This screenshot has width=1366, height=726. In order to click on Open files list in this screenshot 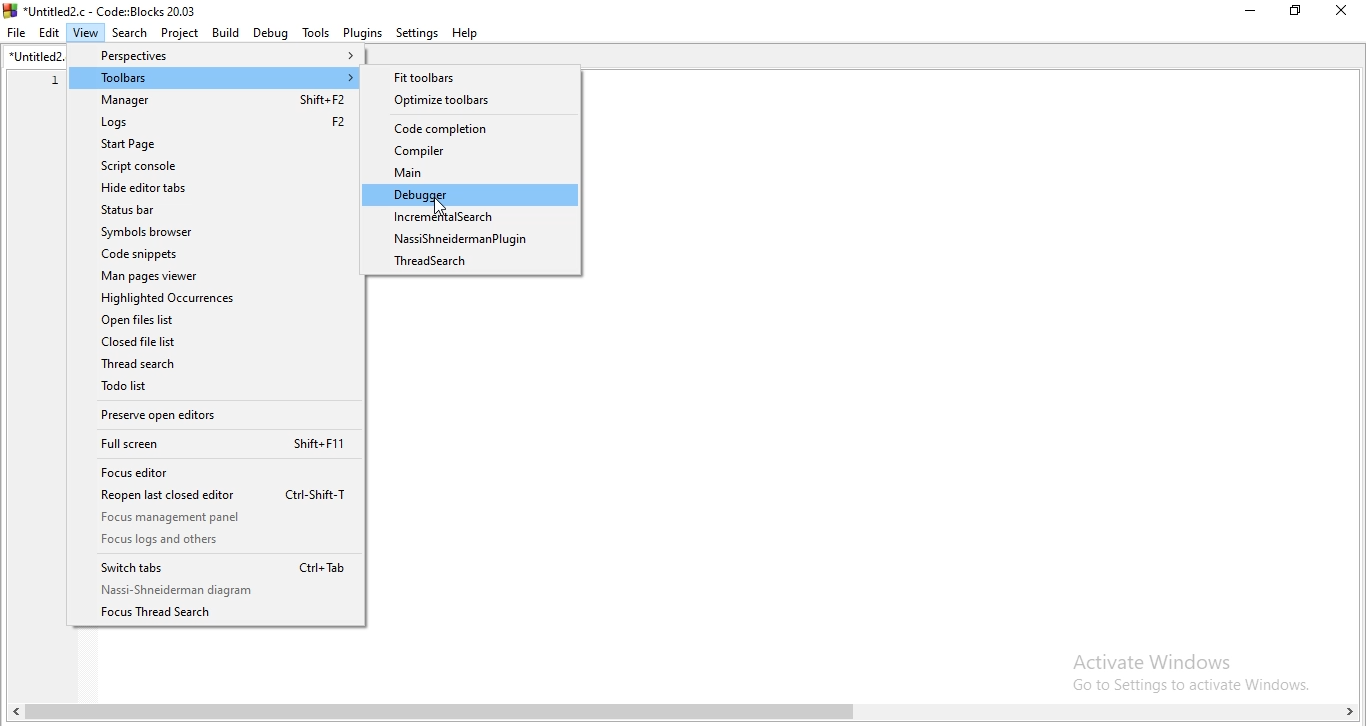, I will do `click(207, 323)`.